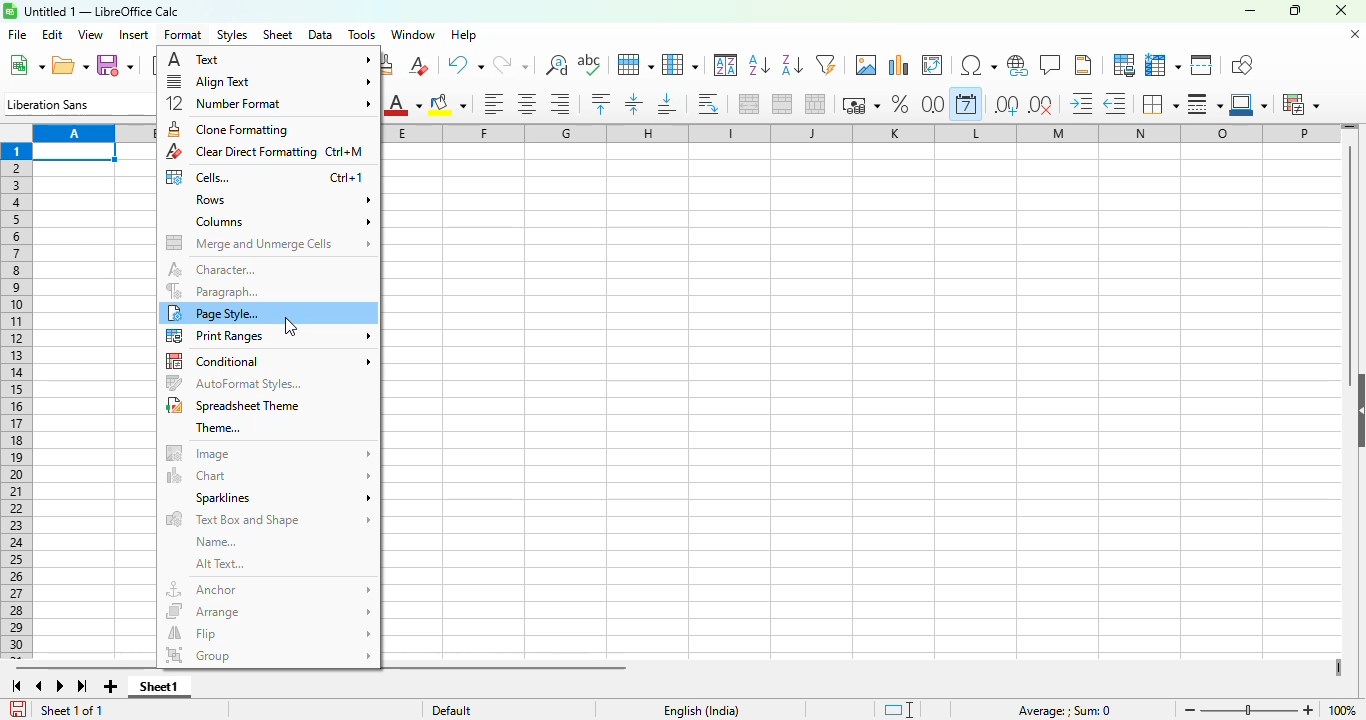  What do you see at coordinates (70, 66) in the screenshot?
I see `open` at bounding box center [70, 66].